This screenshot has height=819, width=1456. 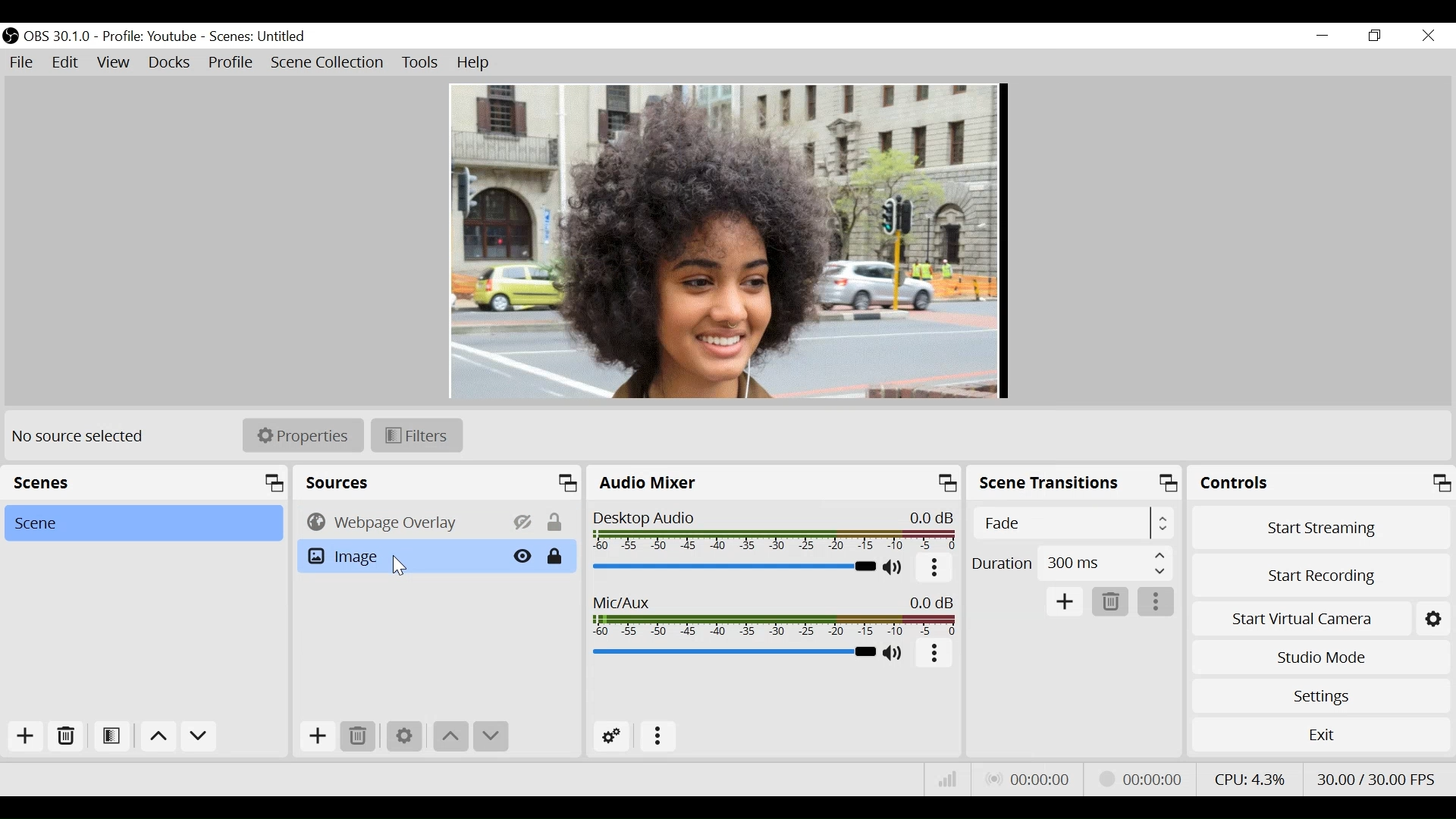 What do you see at coordinates (657, 739) in the screenshot?
I see `More Options` at bounding box center [657, 739].